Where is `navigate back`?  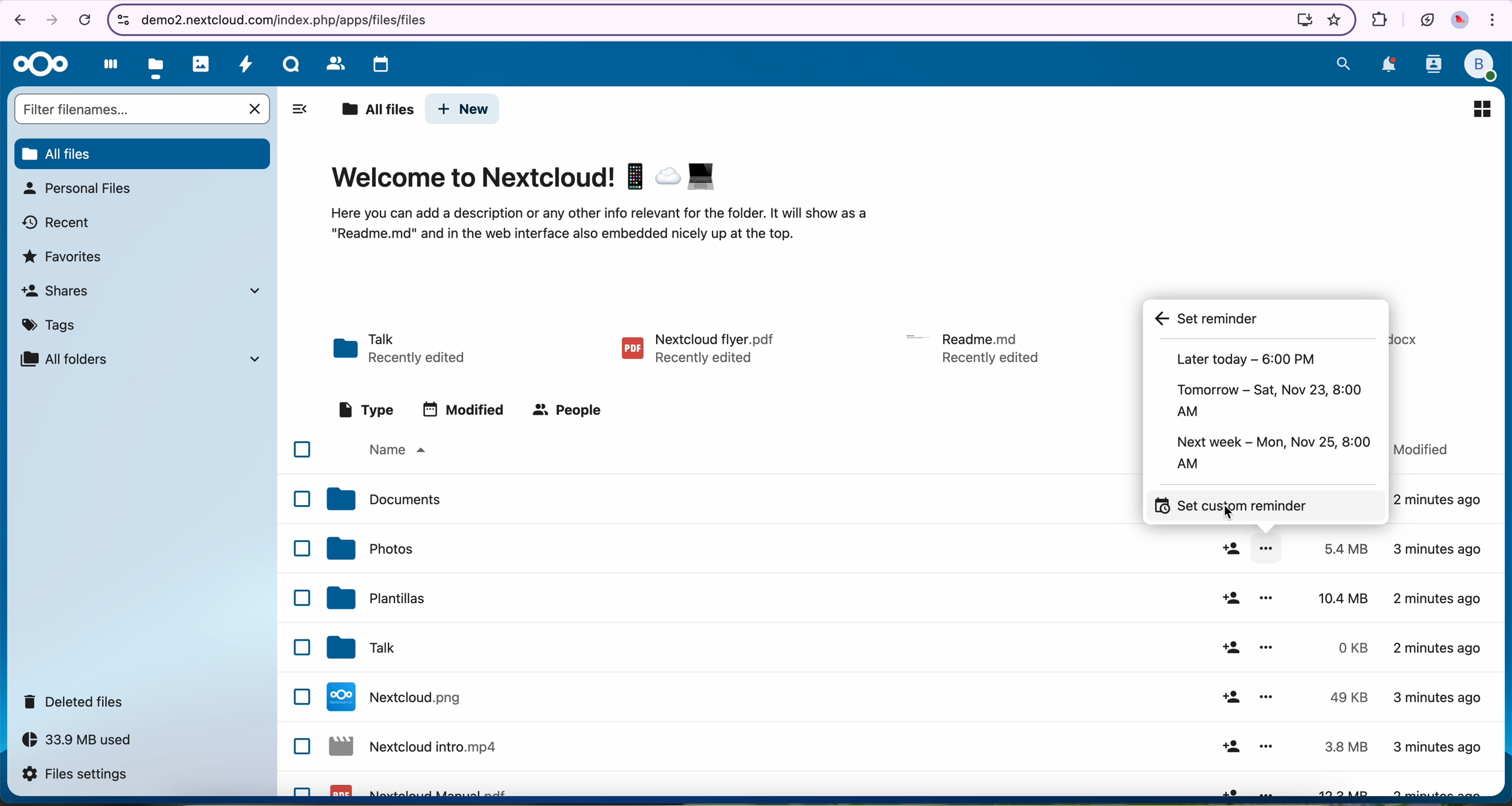
navigate back is located at coordinates (17, 22).